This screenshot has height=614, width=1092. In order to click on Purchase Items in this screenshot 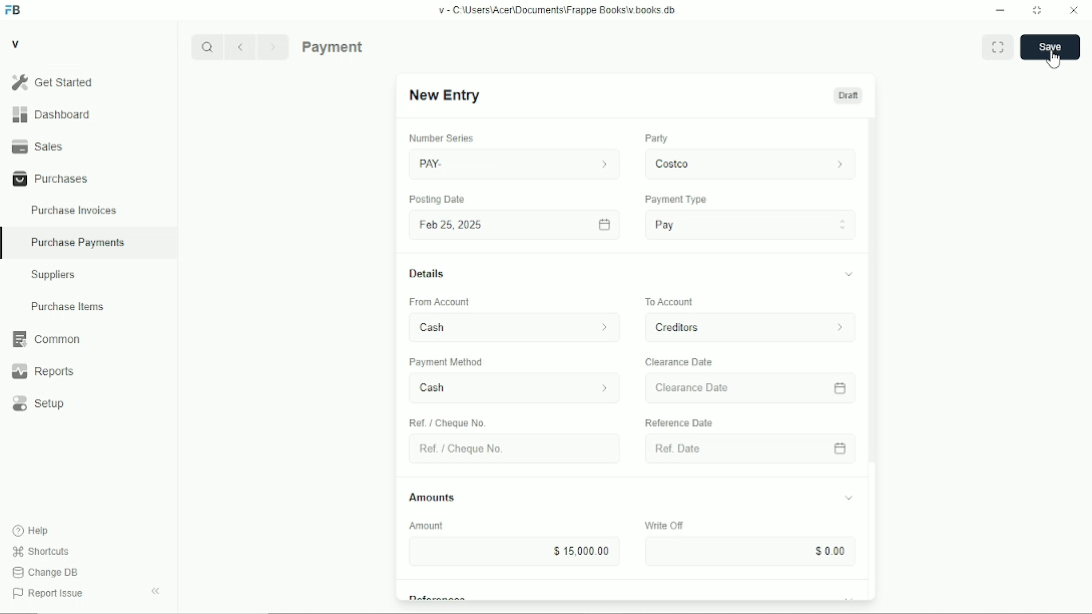, I will do `click(88, 306)`.